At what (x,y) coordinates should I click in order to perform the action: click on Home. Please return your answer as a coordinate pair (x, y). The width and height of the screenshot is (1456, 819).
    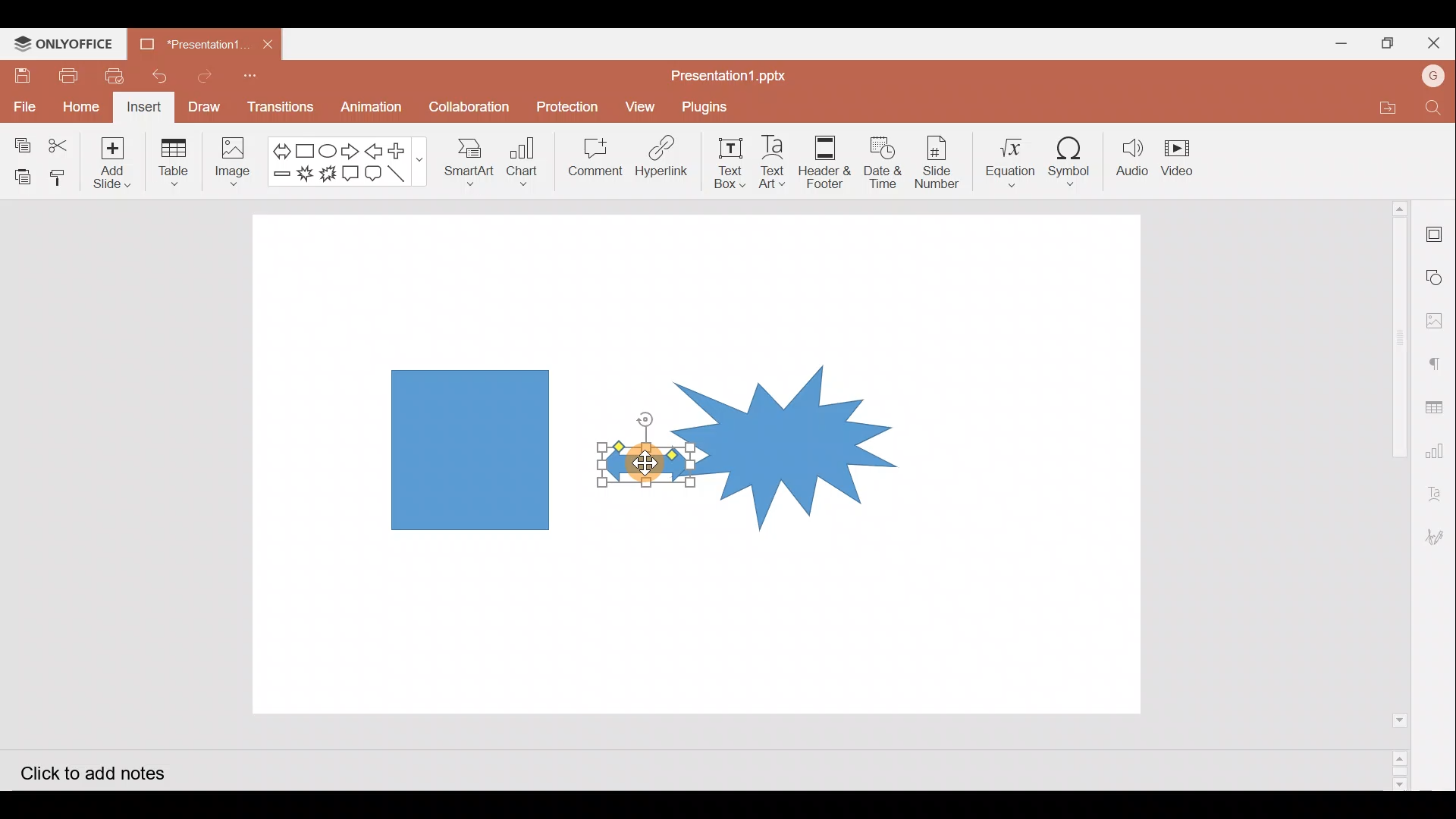
    Looking at the image, I should click on (80, 108).